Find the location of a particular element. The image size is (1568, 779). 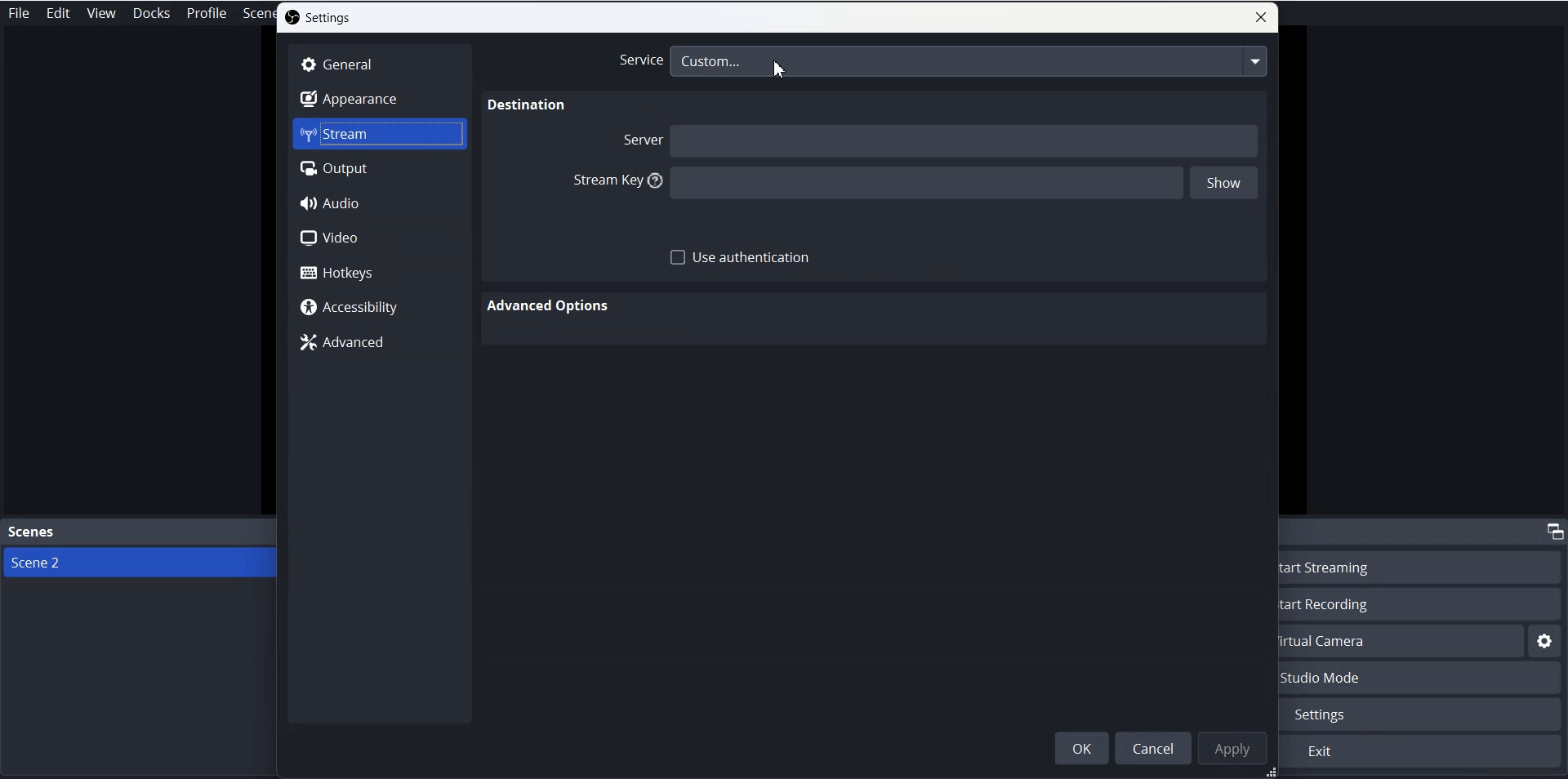

Studio Mode is located at coordinates (1423, 679).